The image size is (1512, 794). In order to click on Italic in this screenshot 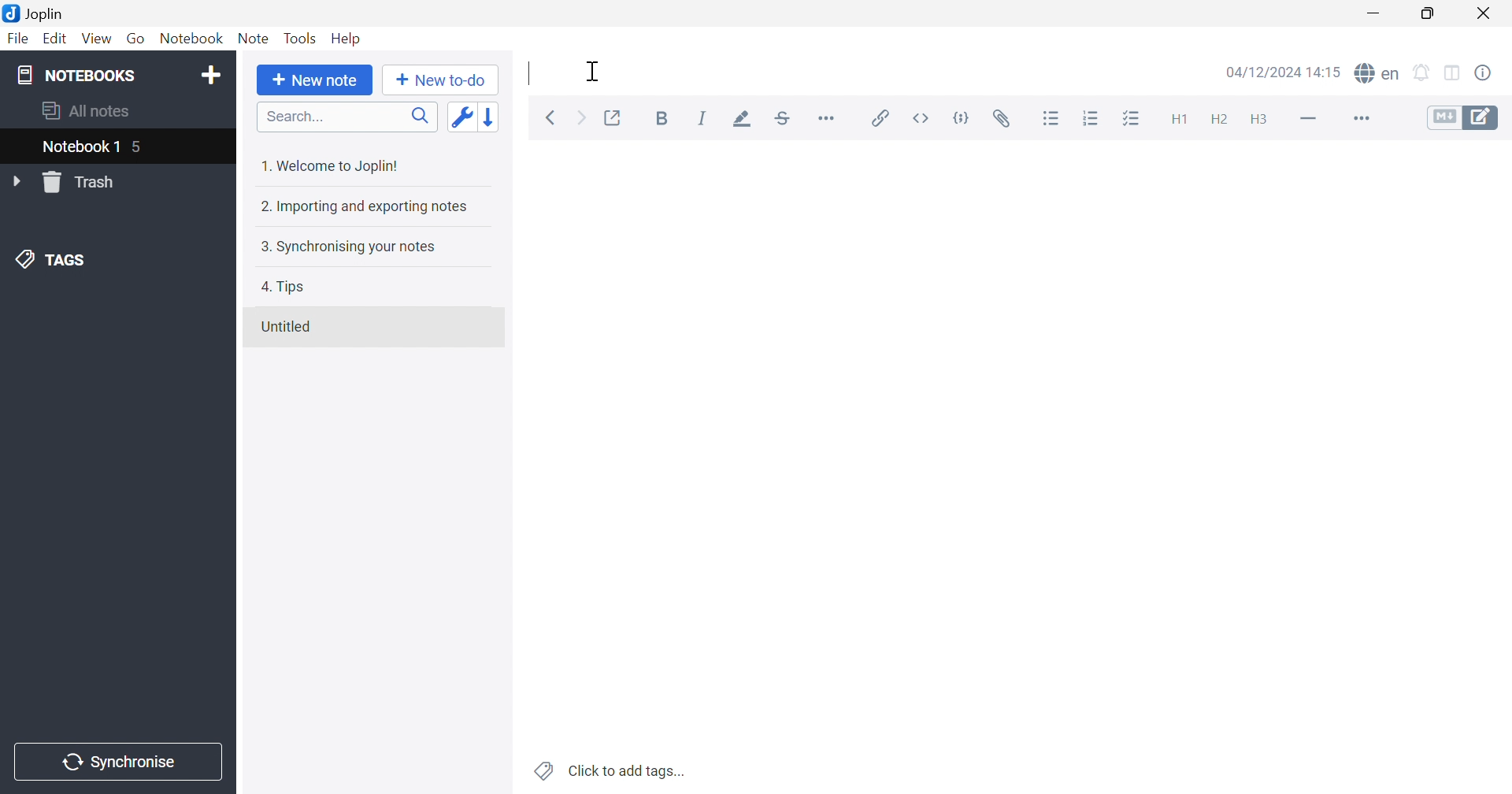, I will do `click(702, 118)`.